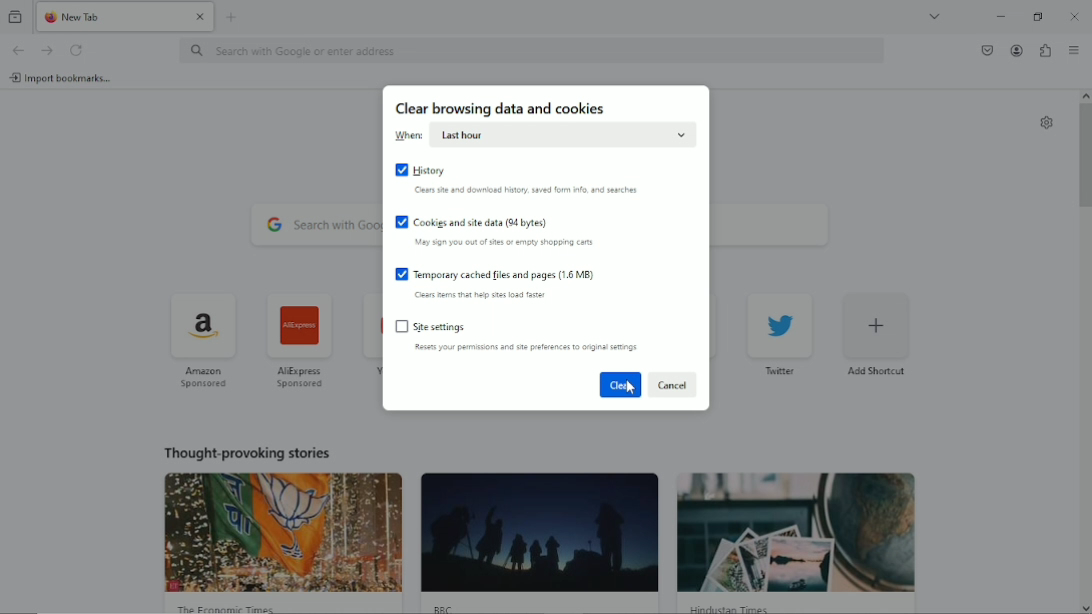  I want to click on Clears site and download history saved form info and searches, so click(528, 191).